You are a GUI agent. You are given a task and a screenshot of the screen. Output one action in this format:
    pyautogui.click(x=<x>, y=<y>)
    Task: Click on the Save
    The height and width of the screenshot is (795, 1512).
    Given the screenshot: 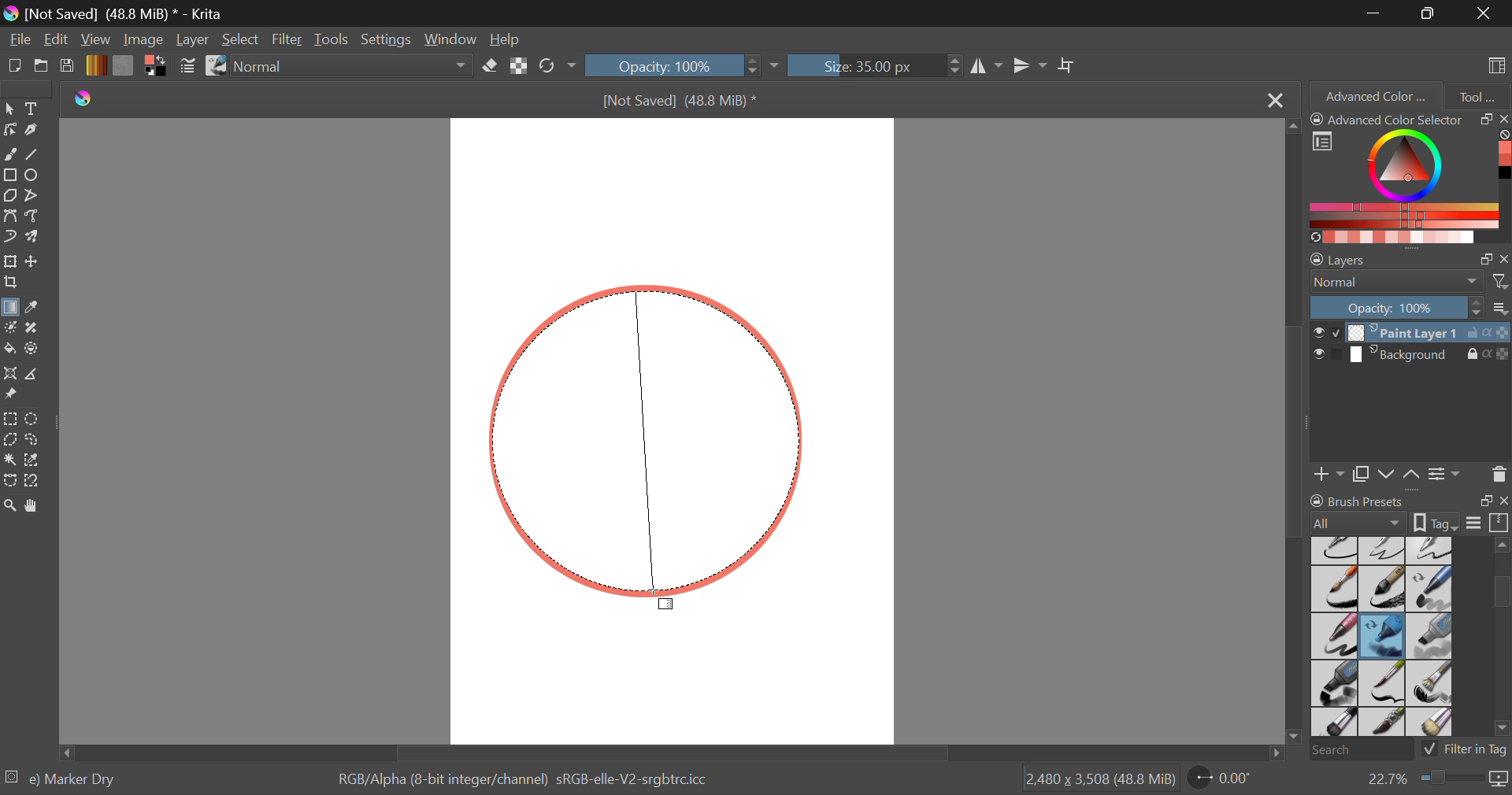 What is the action you would take?
    pyautogui.click(x=68, y=67)
    